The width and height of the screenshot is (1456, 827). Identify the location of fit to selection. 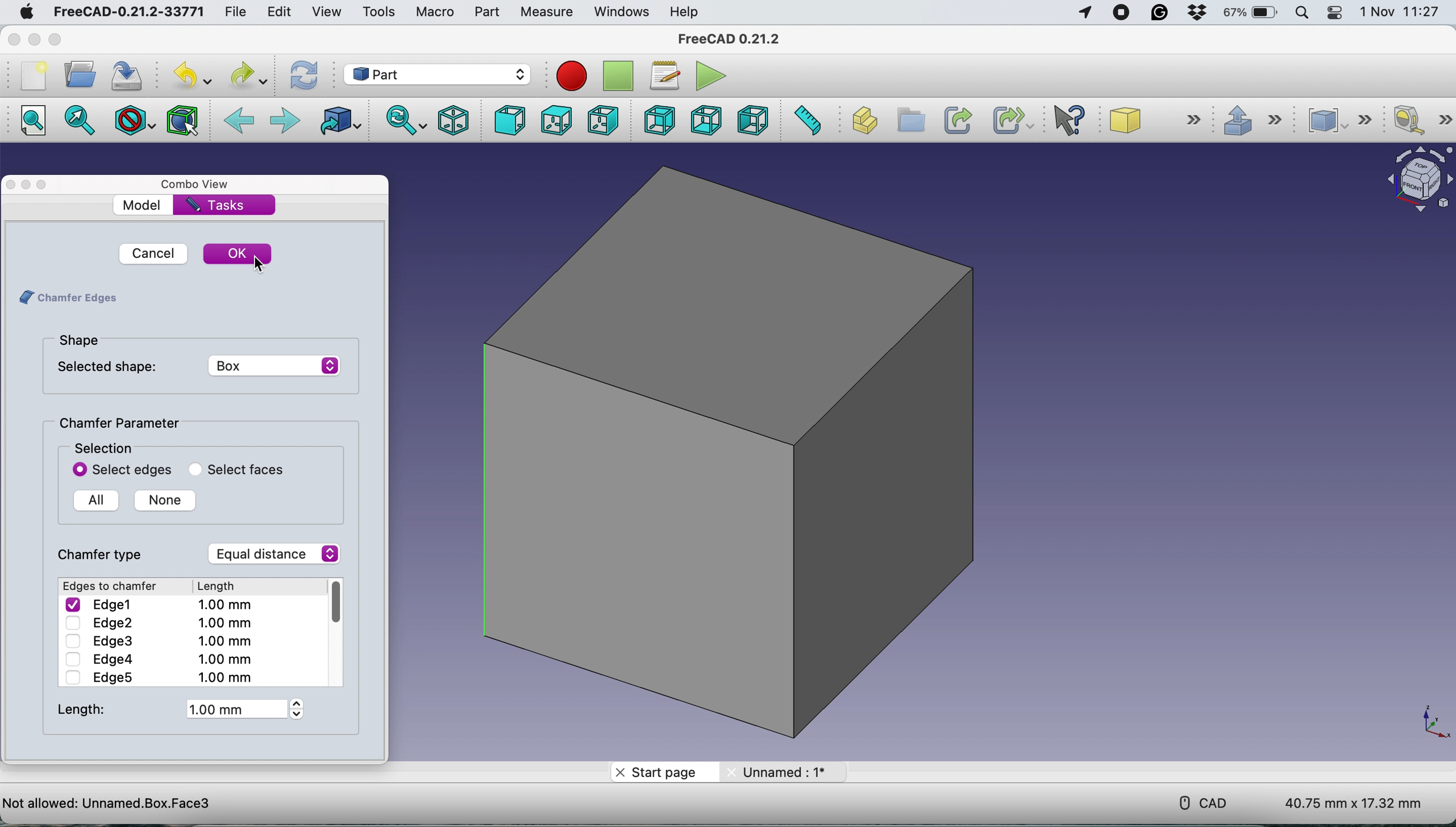
(80, 119).